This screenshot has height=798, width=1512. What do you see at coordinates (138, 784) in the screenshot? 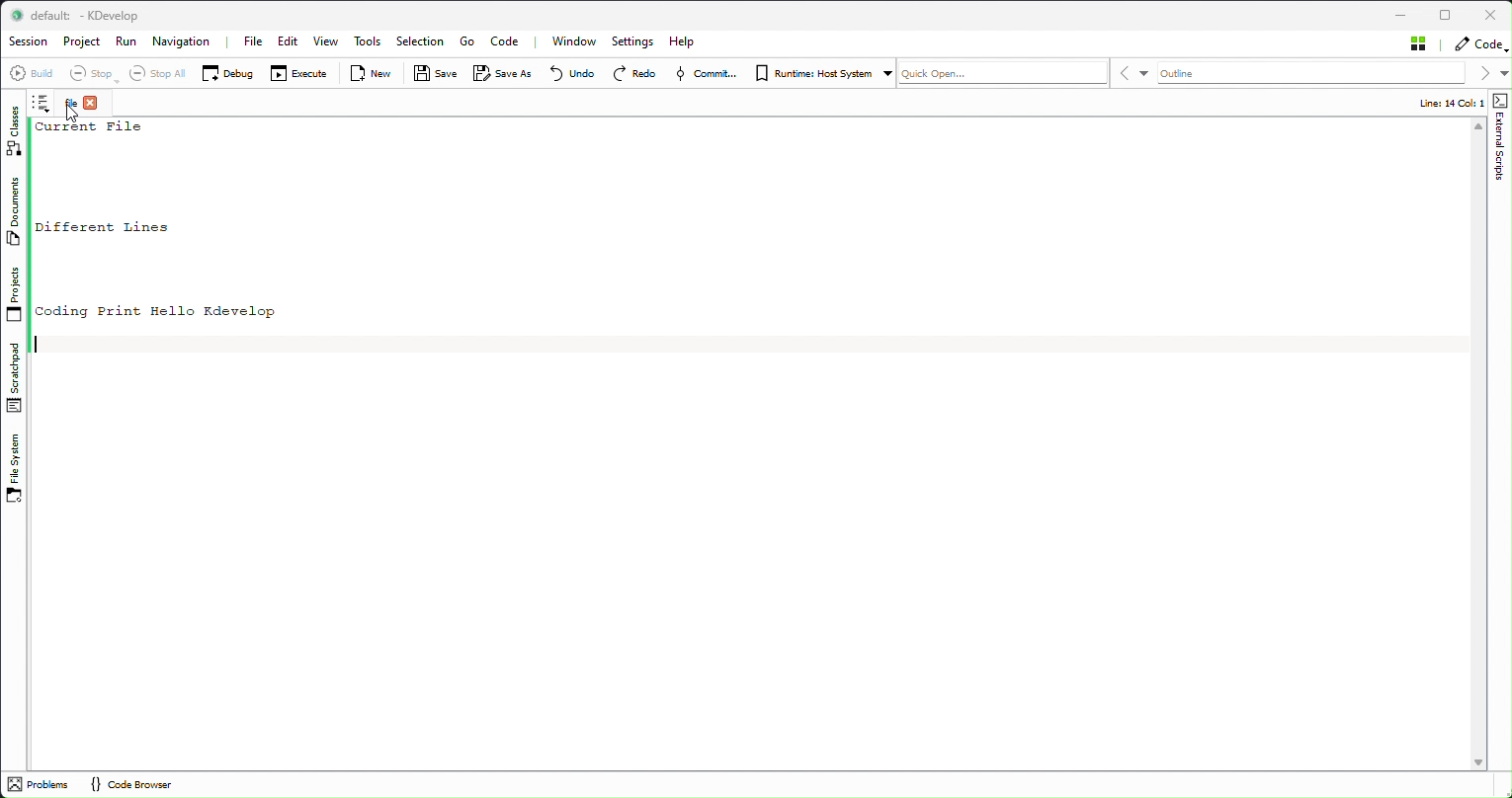
I see `Code Browser` at bounding box center [138, 784].